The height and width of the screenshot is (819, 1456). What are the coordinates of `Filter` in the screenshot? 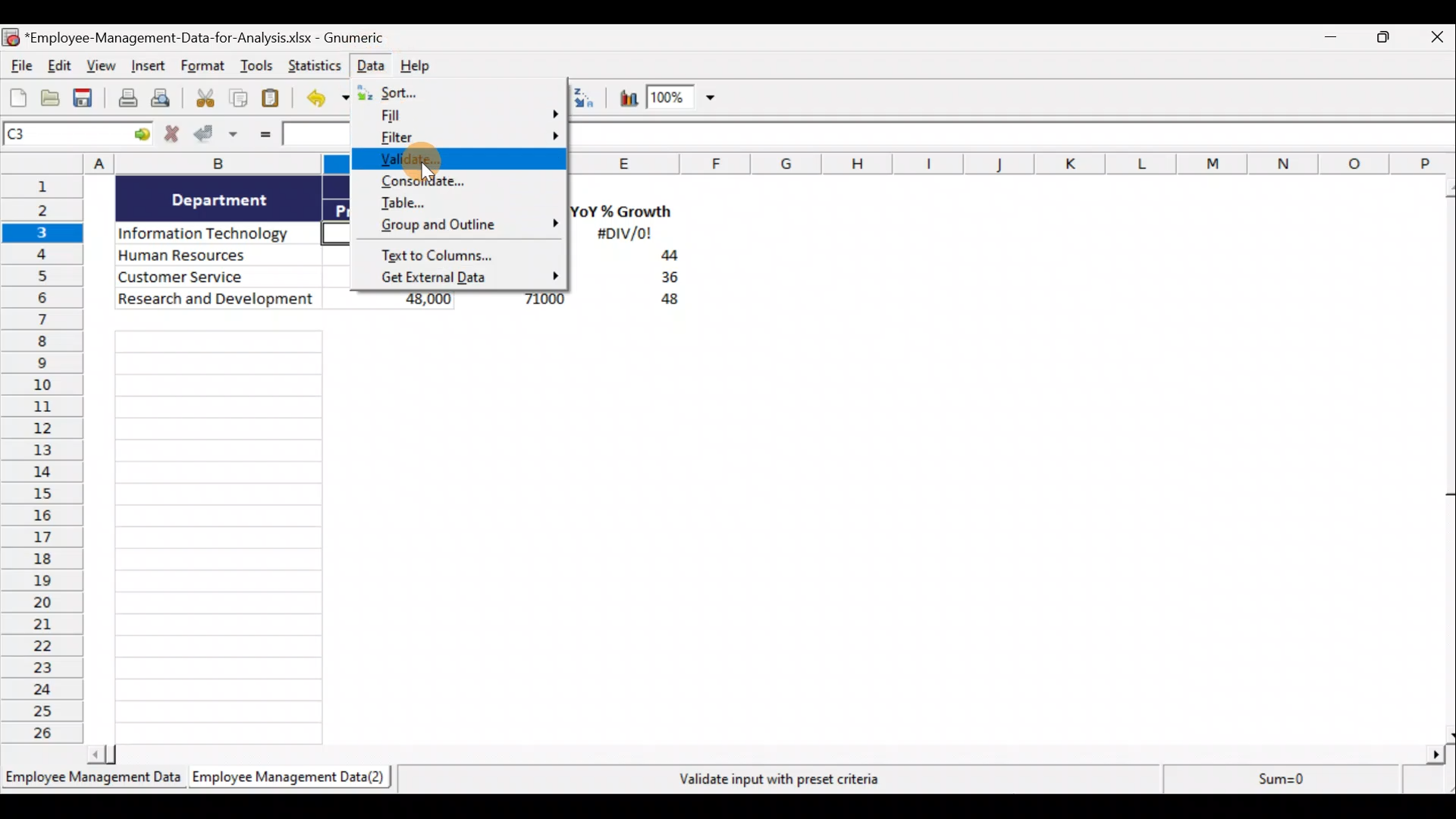 It's located at (462, 140).